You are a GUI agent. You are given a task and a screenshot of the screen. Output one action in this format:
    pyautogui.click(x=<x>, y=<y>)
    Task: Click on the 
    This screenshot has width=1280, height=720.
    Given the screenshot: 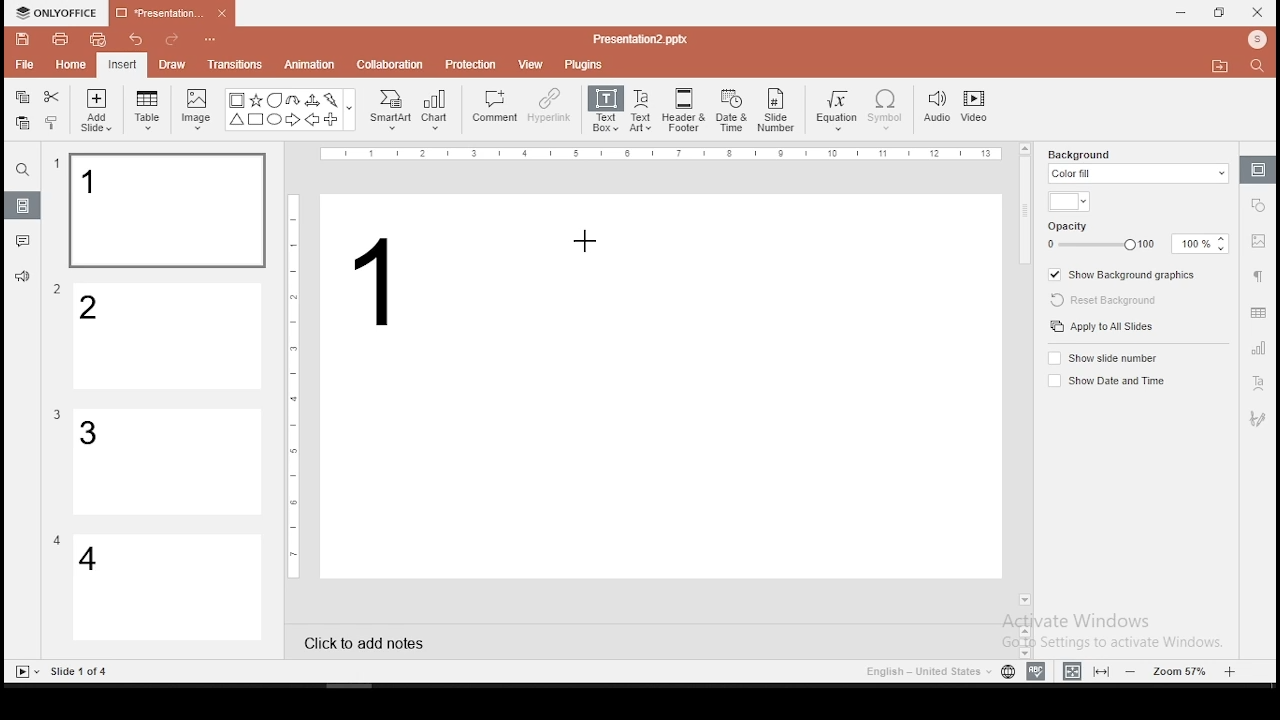 What is the action you would take?
    pyautogui.click(x=58, y=290)
    